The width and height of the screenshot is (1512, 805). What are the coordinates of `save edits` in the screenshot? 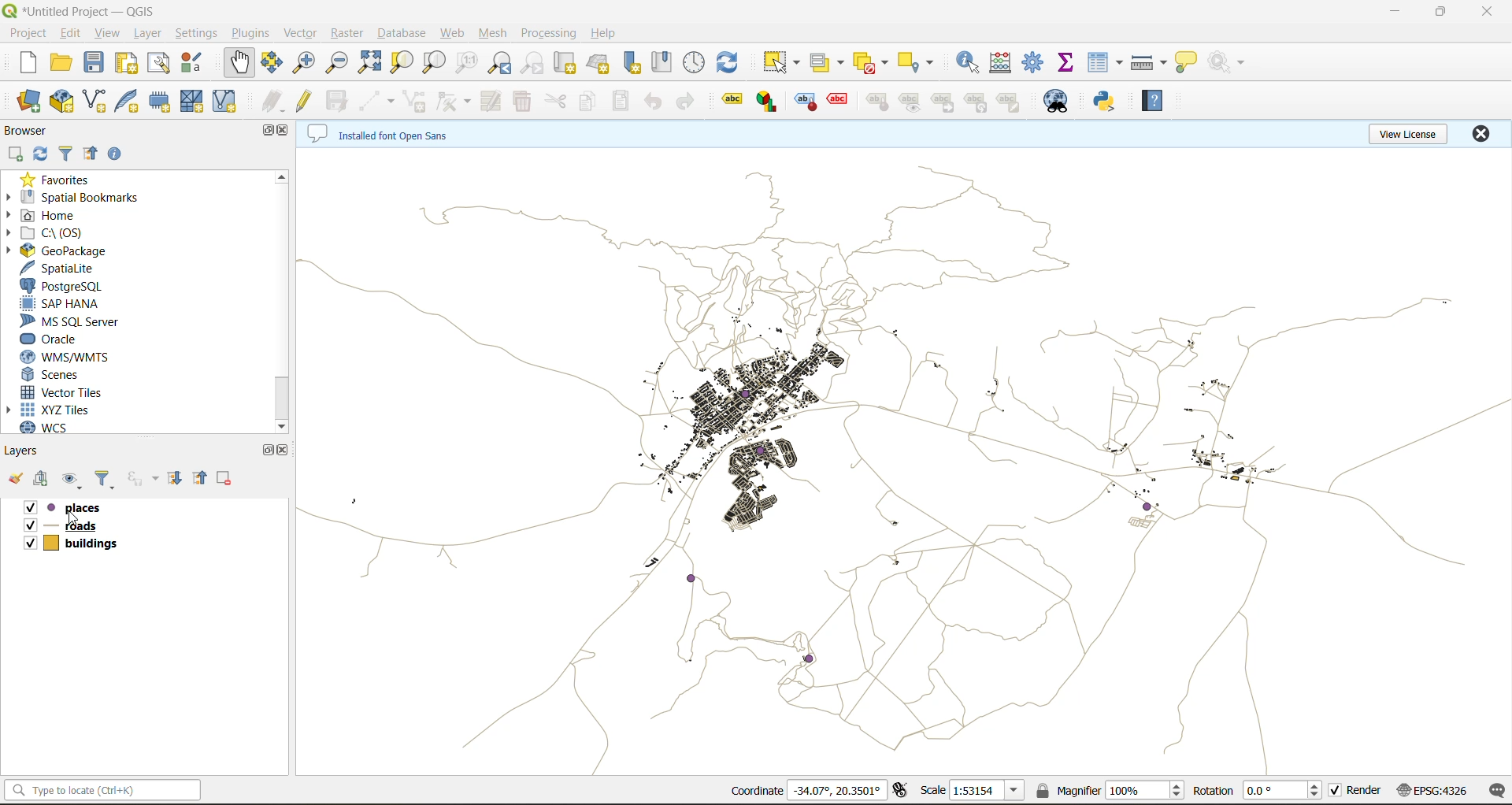 It's located at (333, 105).